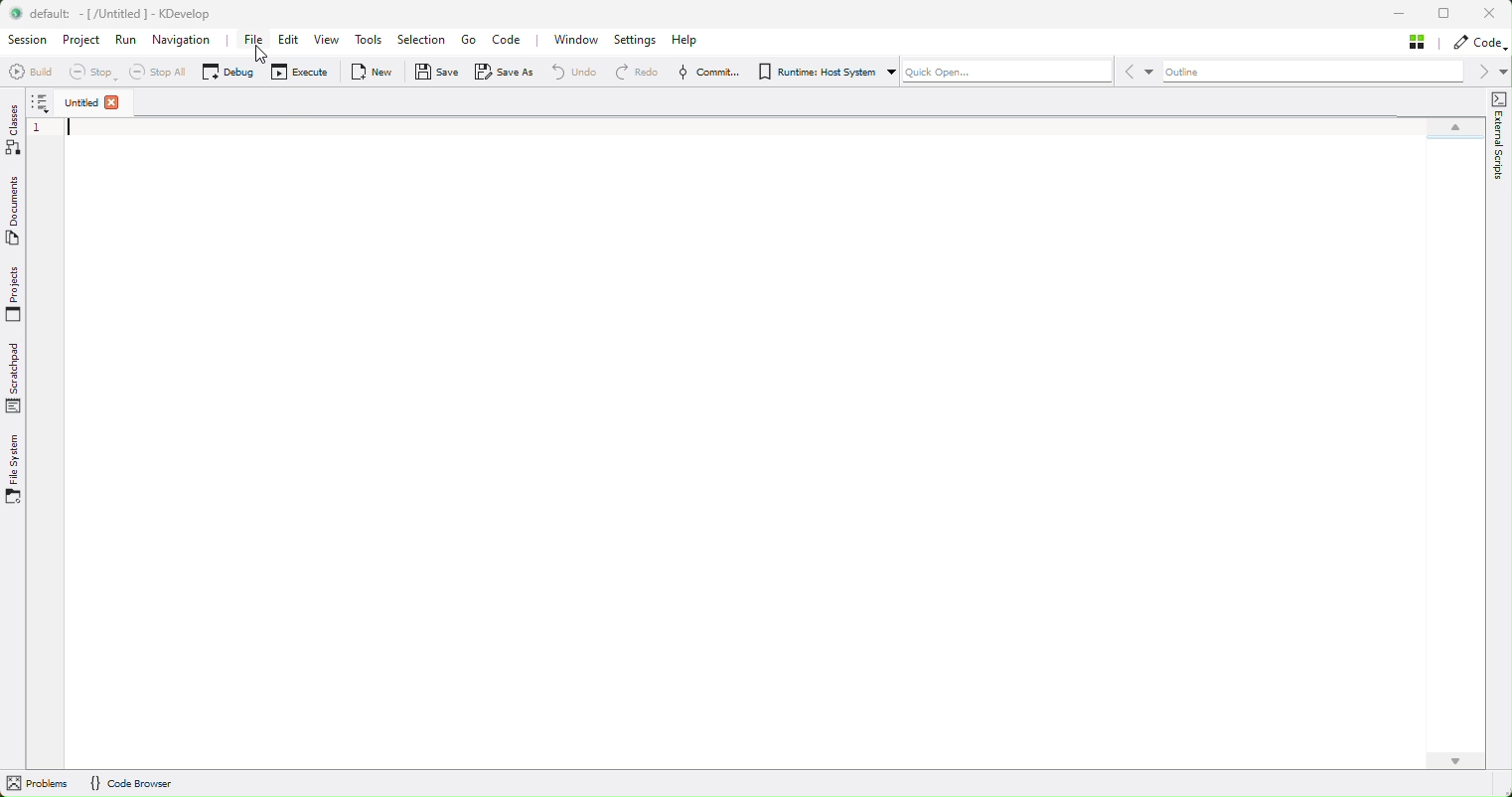 The height and width of the screenshot is (797, 1512). What do you see at coordinates (17, 467) in the screenshot?
I see `File system` at bounding box center [17, 467].